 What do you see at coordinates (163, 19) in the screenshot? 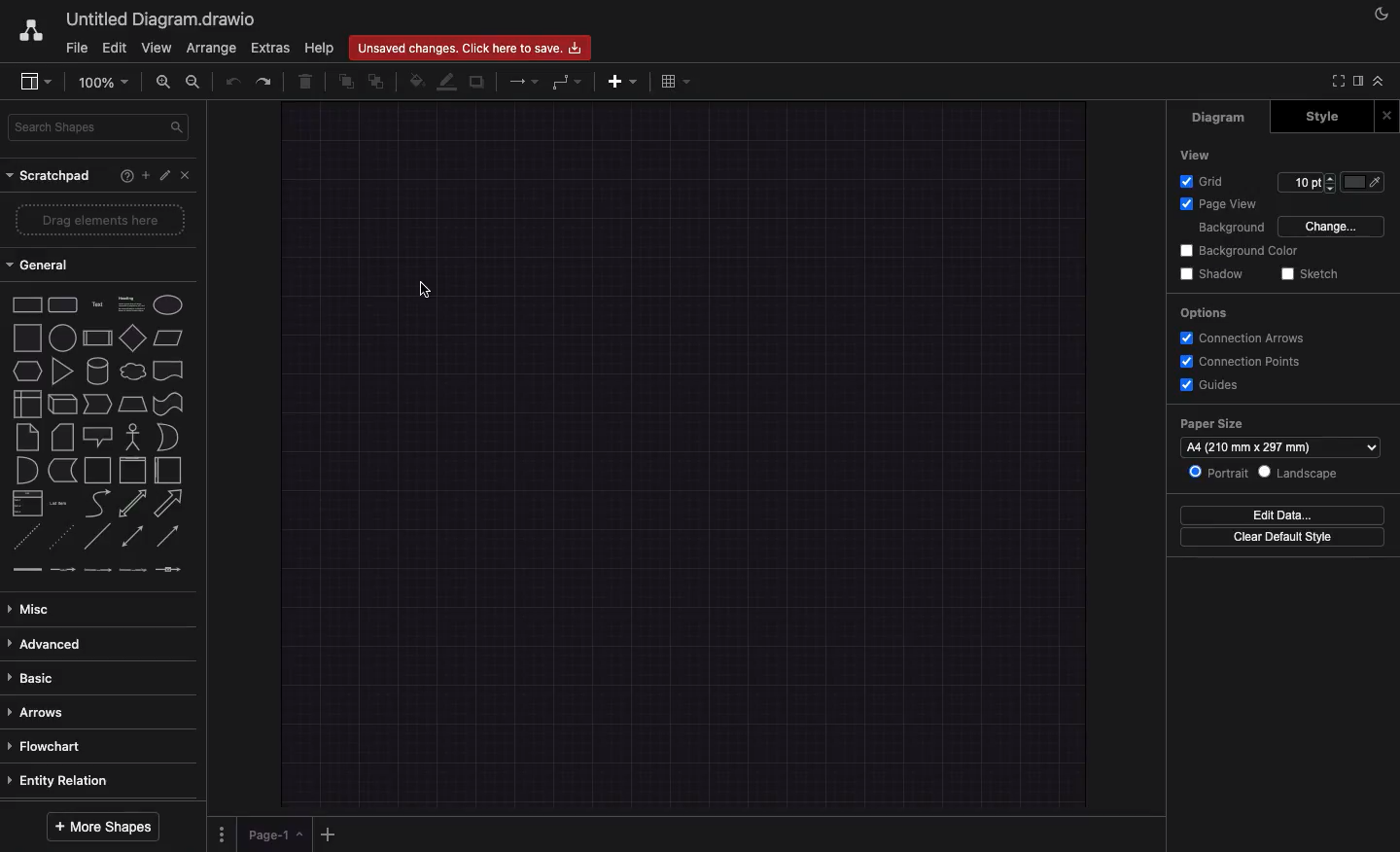
I see `current window: Untitled Diagram.drawio` at bounding box center [163, 19].